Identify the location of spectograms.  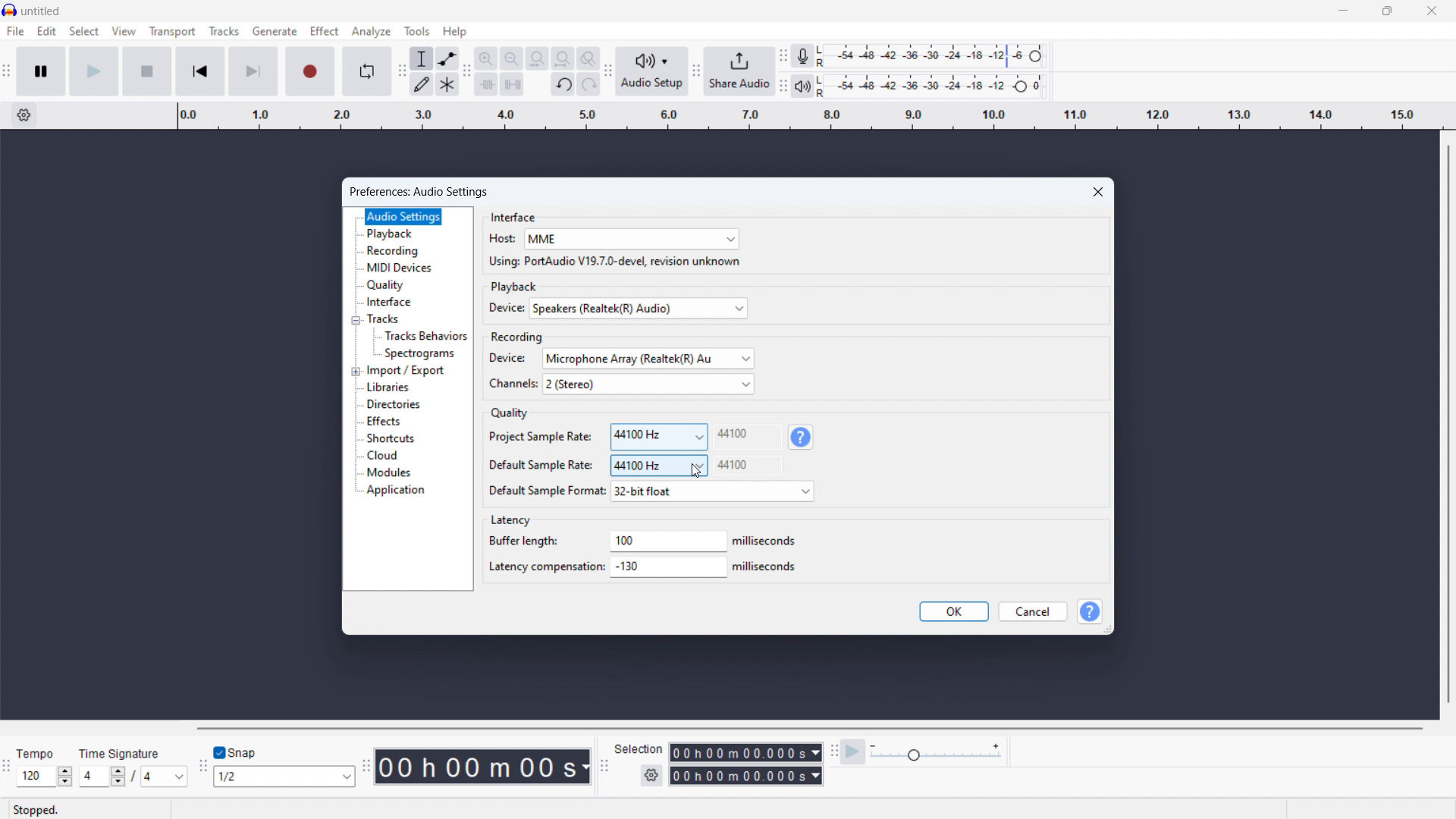
(421, 354).